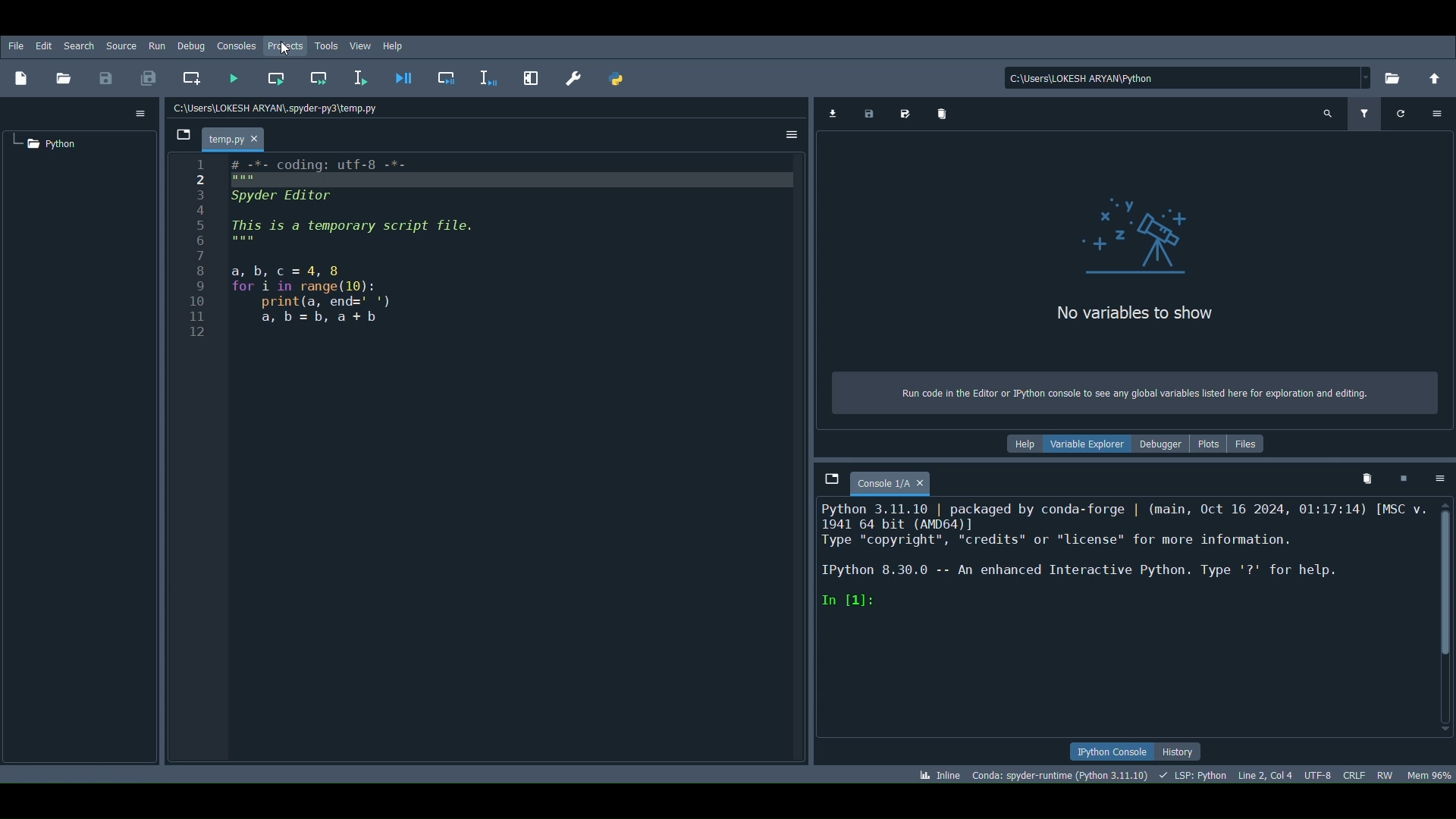 This screenshot has width=1456, height=819. Describe the element at coordinates (103, 77) in the screenshot. I see `Save file (Ctrl + S)` at that location.